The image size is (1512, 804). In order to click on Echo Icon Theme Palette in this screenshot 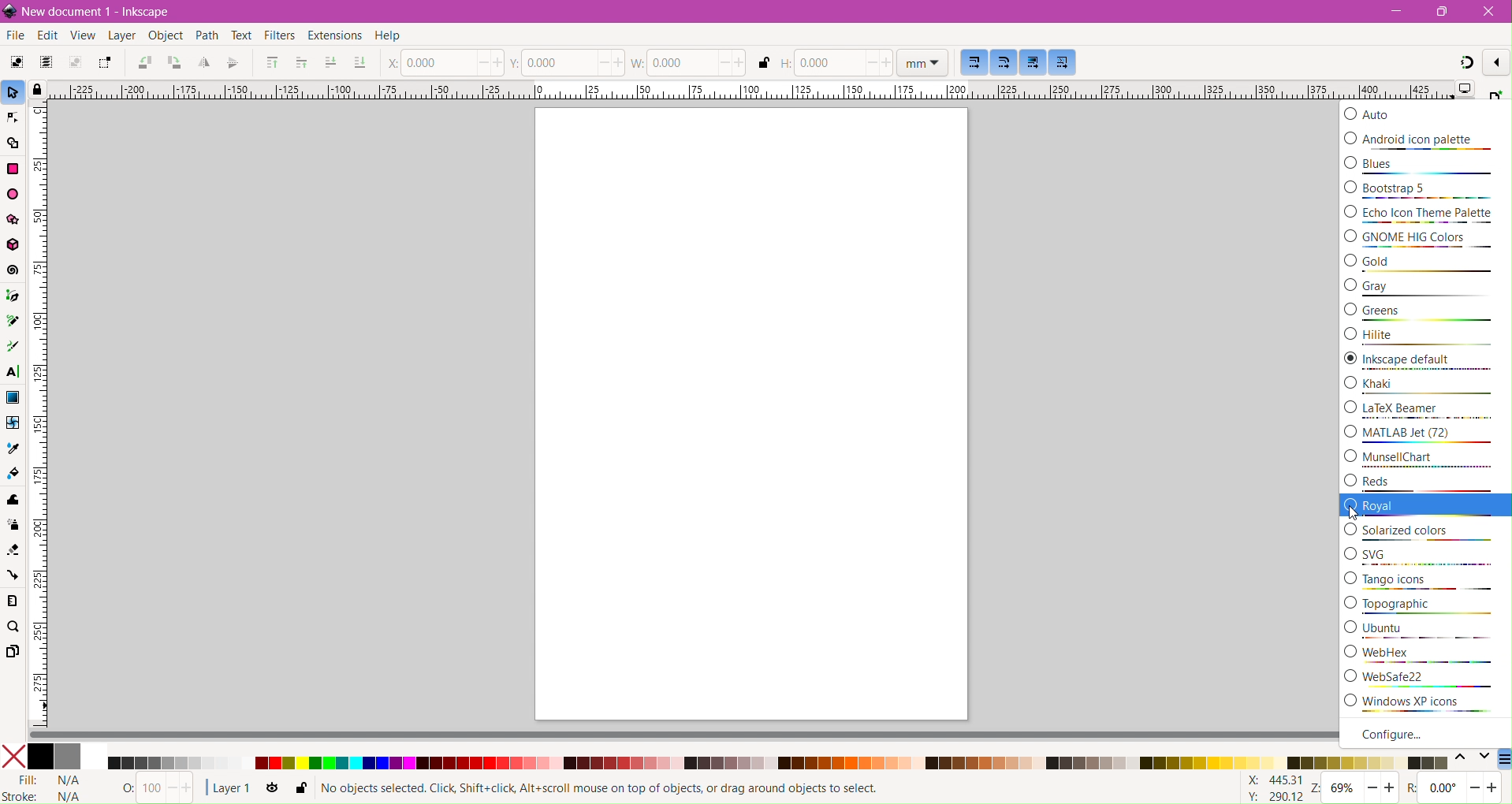, I will do `click(1424, 214)`.